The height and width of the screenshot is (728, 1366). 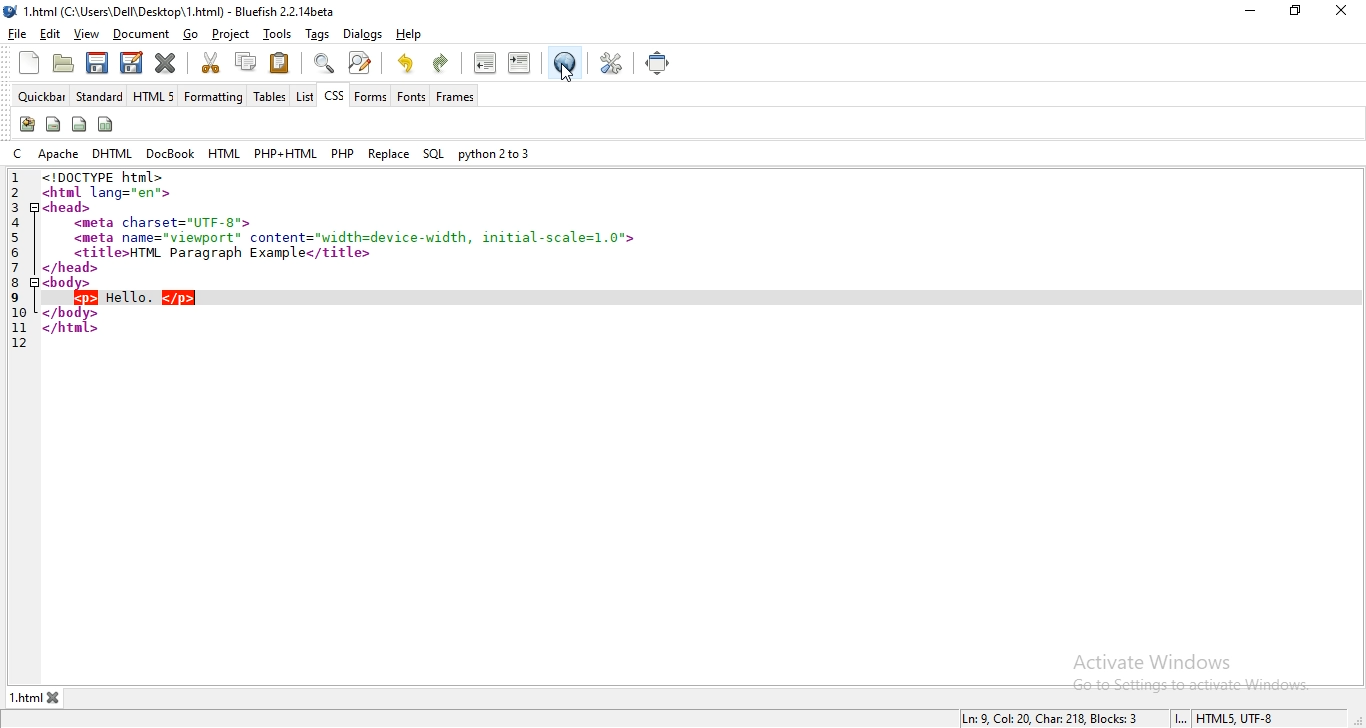 I want to click on HTML 5, so click(x=153, y=94).